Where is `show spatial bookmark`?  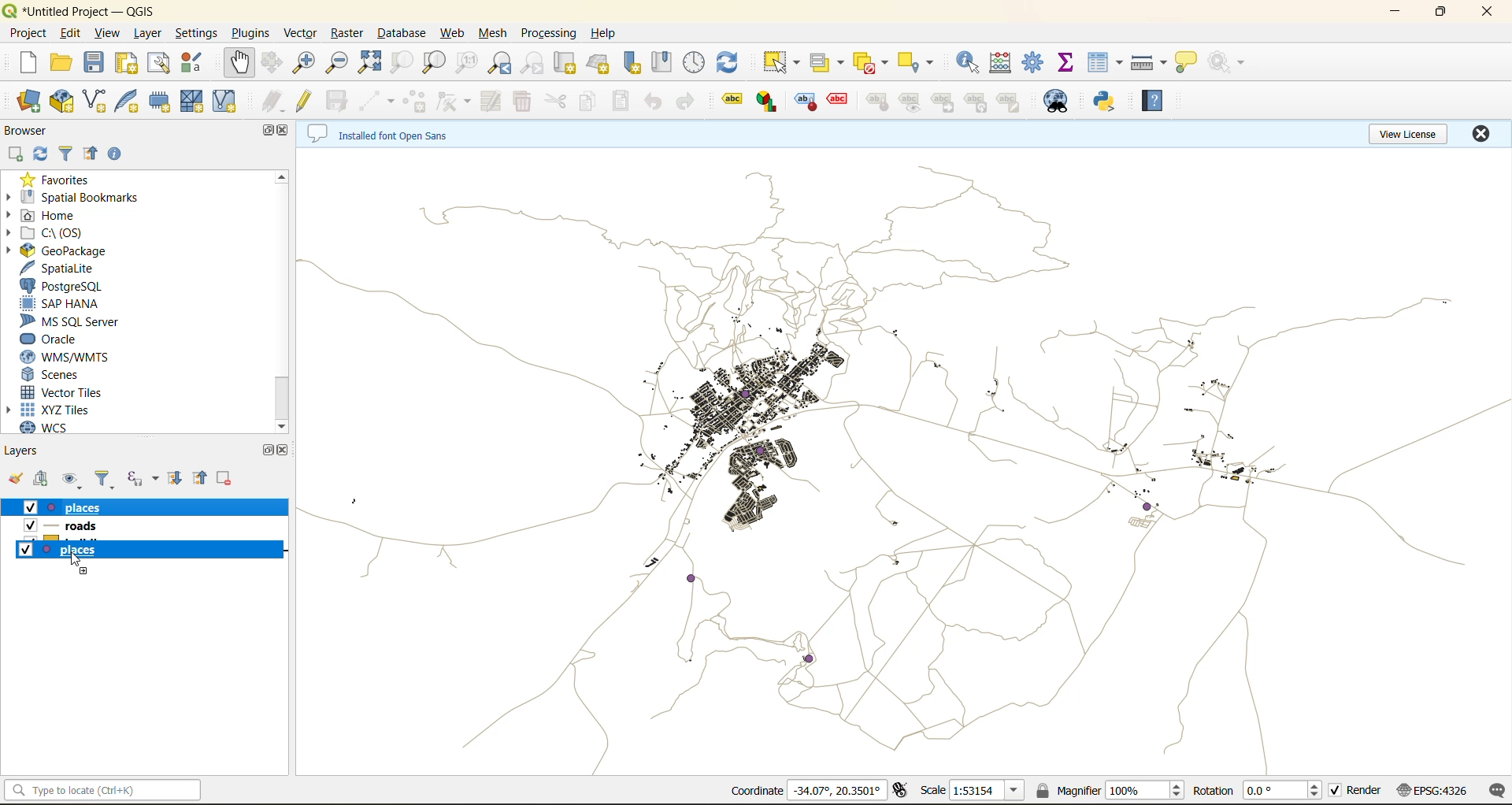
show spatial bookmark is located at coordinates (665, 63).